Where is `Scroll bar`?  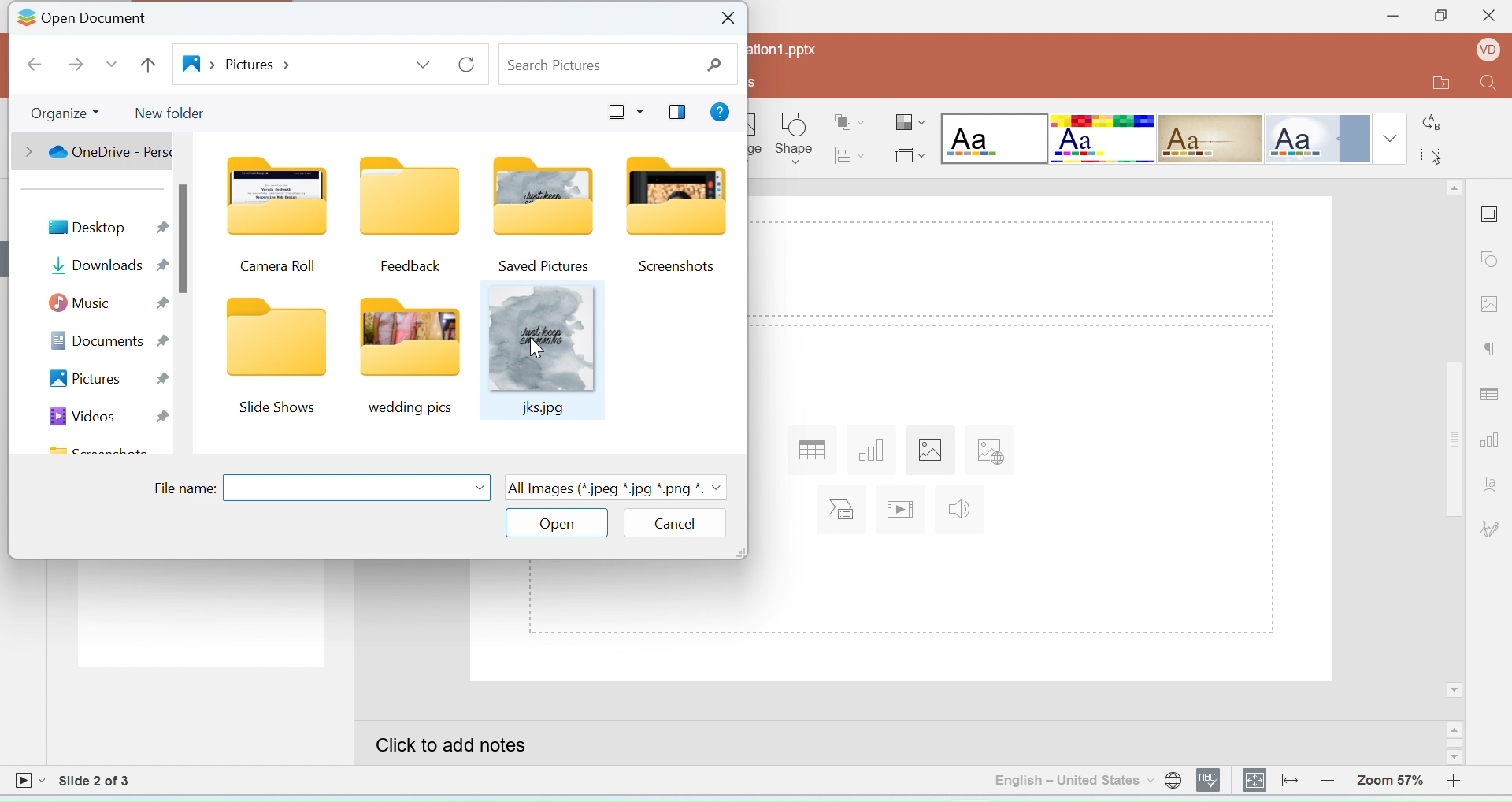 Scroll bar is located at coordinates (1455, 440).